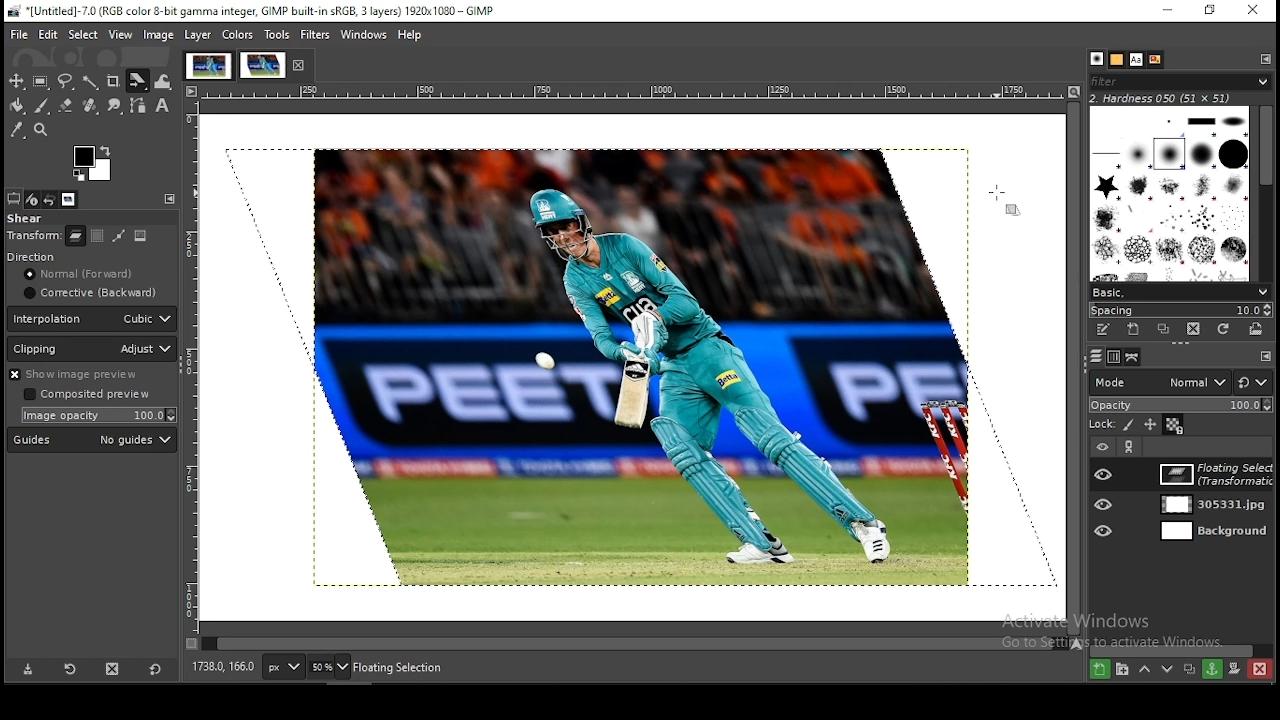  Describe the element at coordinates (1072, 368) in the screenshot. I see `scroll bar` at that location.